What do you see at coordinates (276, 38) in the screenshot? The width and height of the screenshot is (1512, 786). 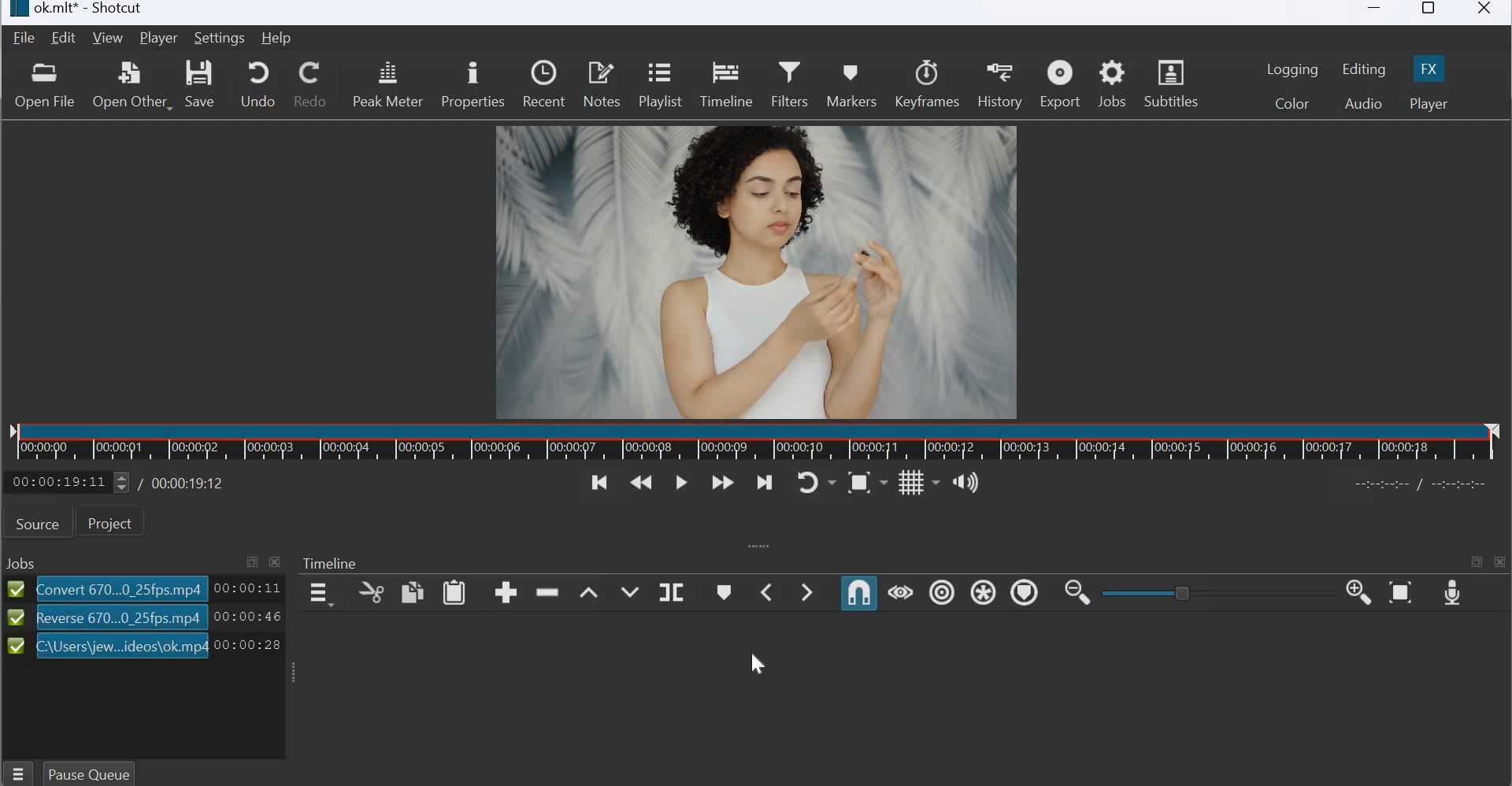 I see `Help` at bounding box center [276, 38].